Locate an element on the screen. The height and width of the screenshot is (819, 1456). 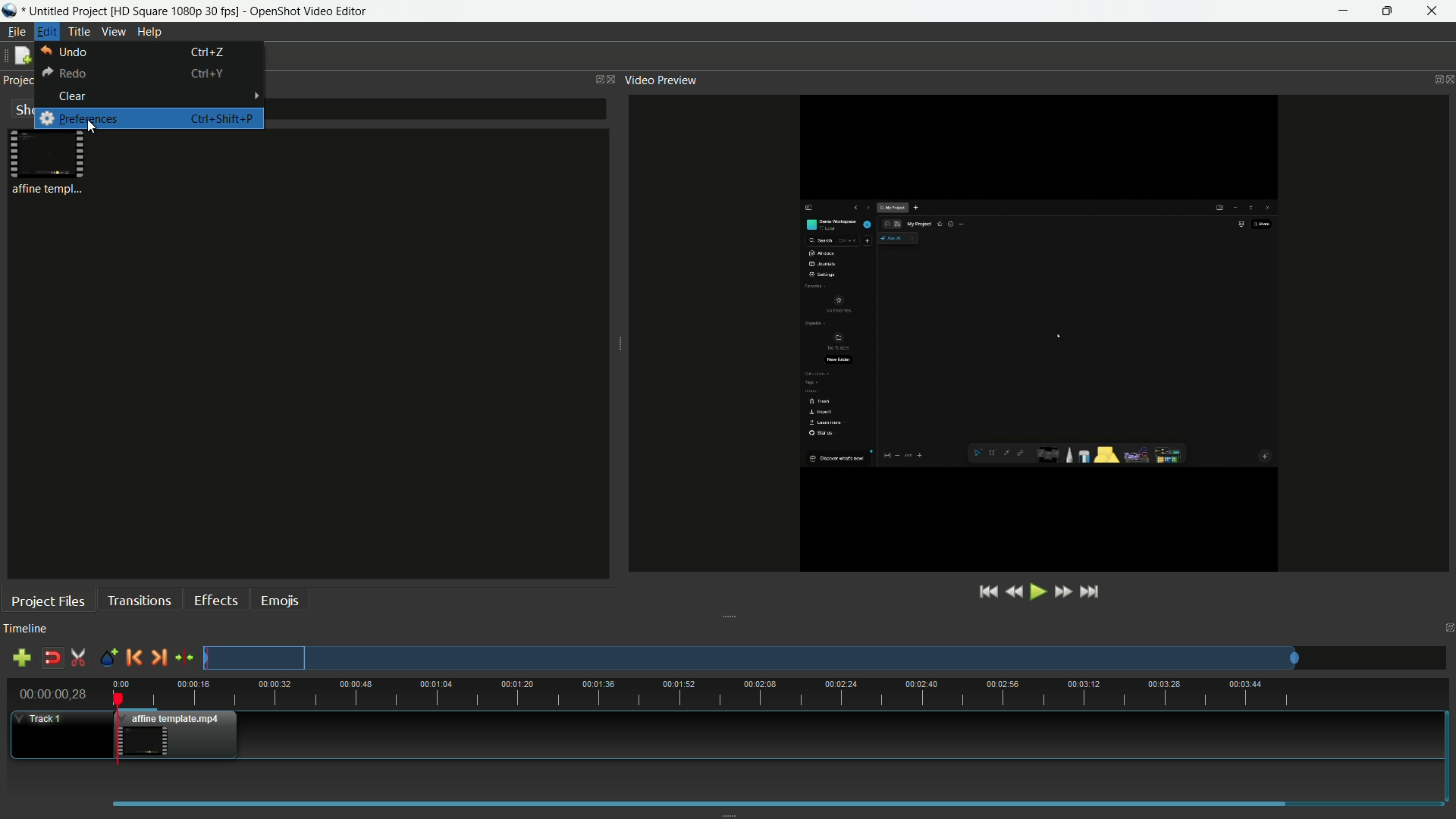
title menu is located at coordinates (79, 31).